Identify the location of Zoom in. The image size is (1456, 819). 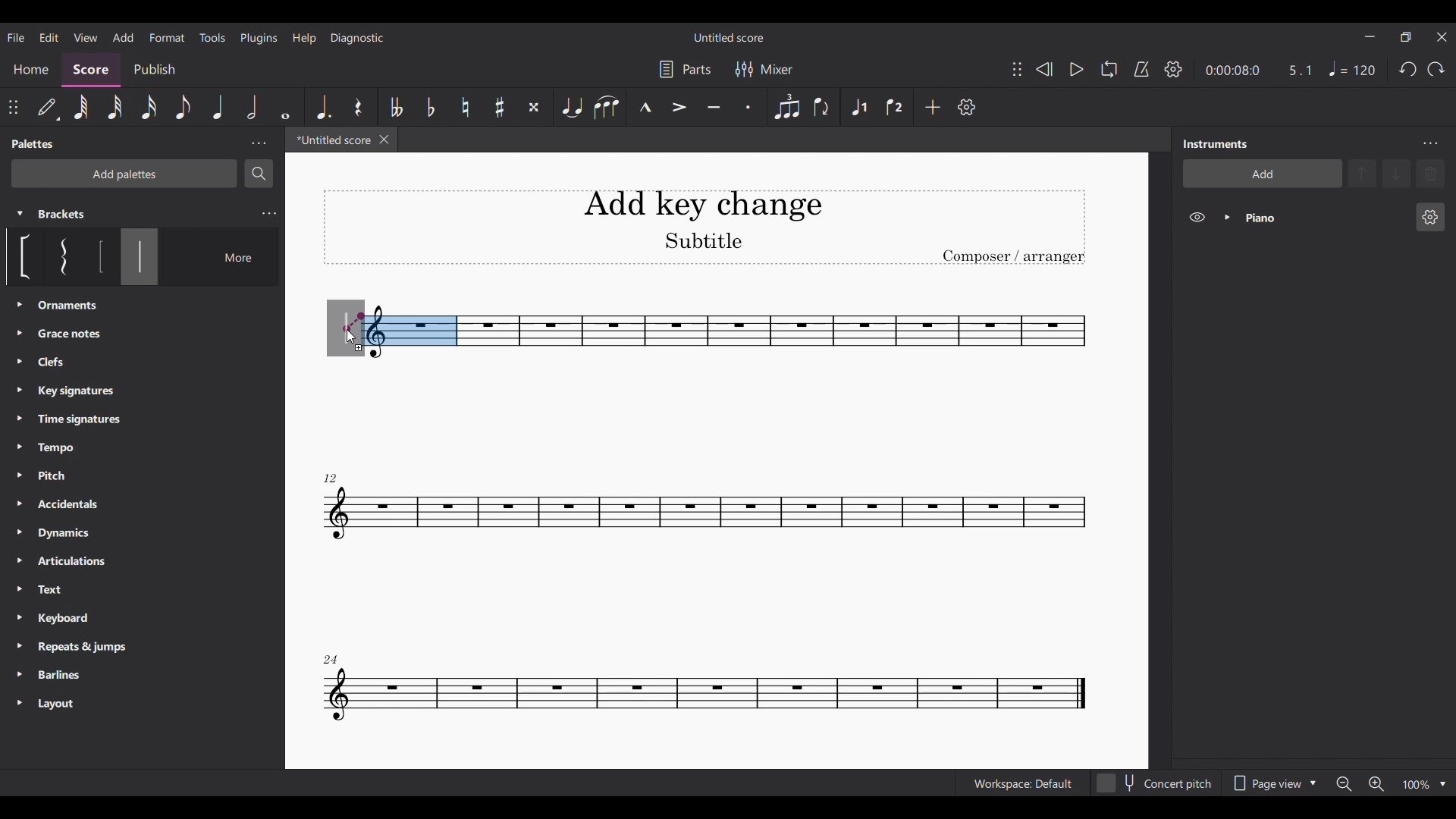
(1376, 784).